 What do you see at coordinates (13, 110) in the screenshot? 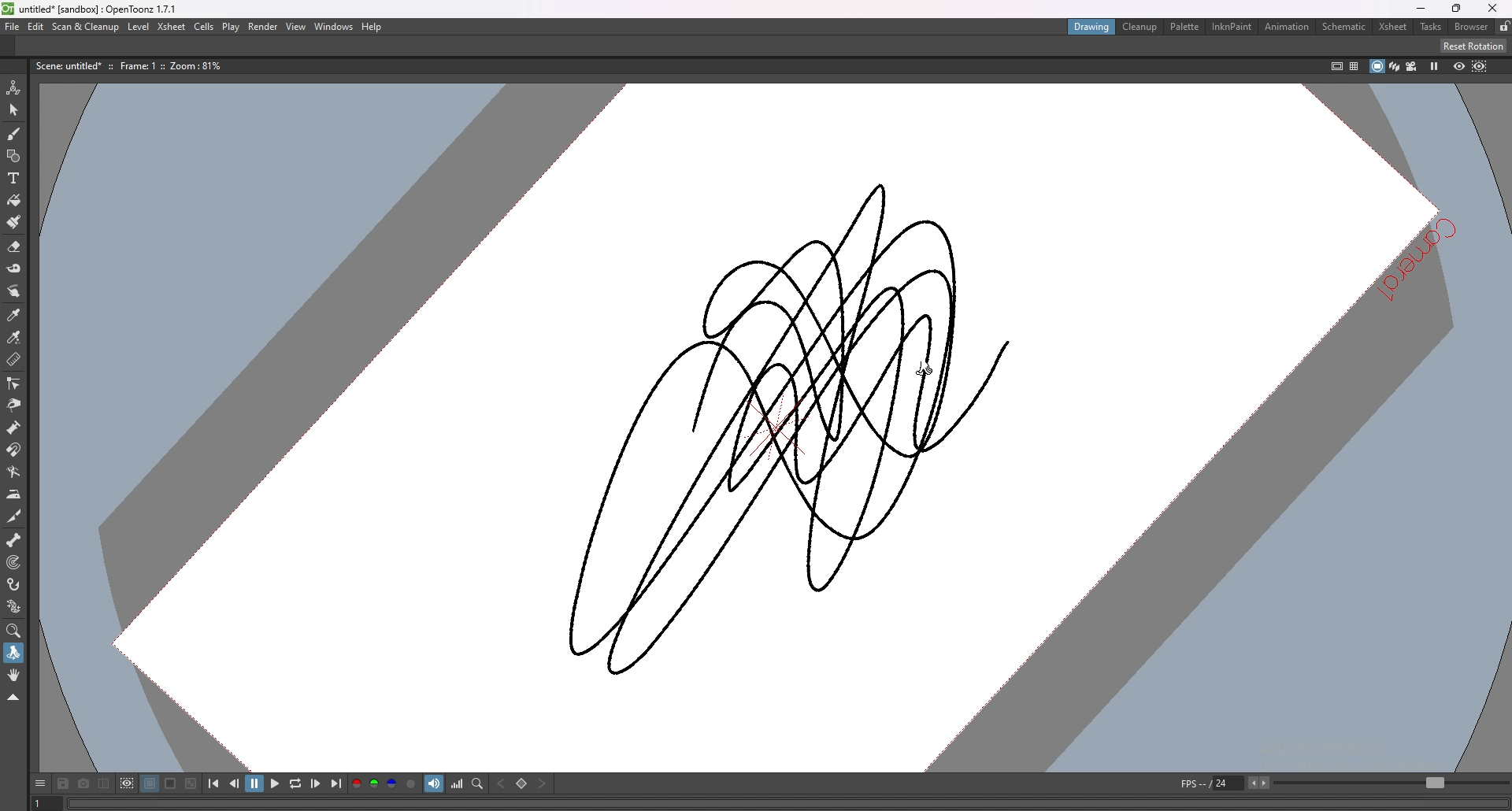
I see `selection tool` at bounding box center [13, 110].